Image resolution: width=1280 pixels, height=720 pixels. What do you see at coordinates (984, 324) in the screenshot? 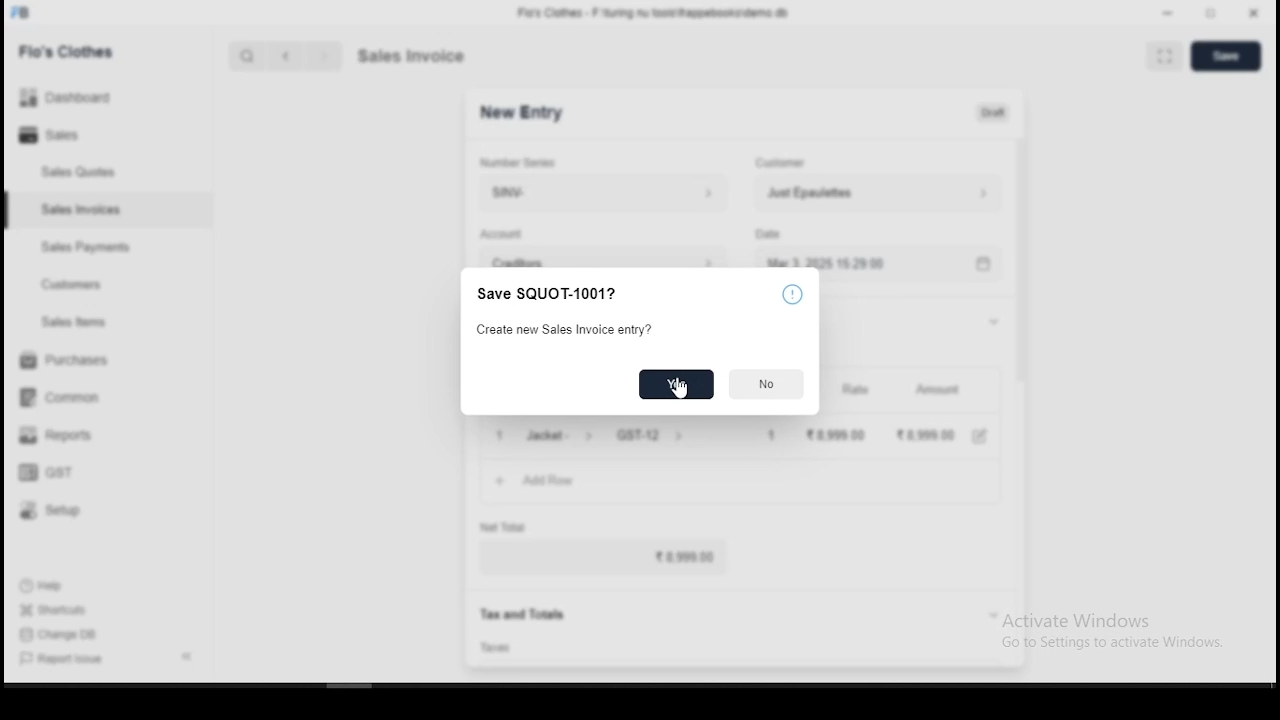
I see `expand` at bounding box center [984, 324].